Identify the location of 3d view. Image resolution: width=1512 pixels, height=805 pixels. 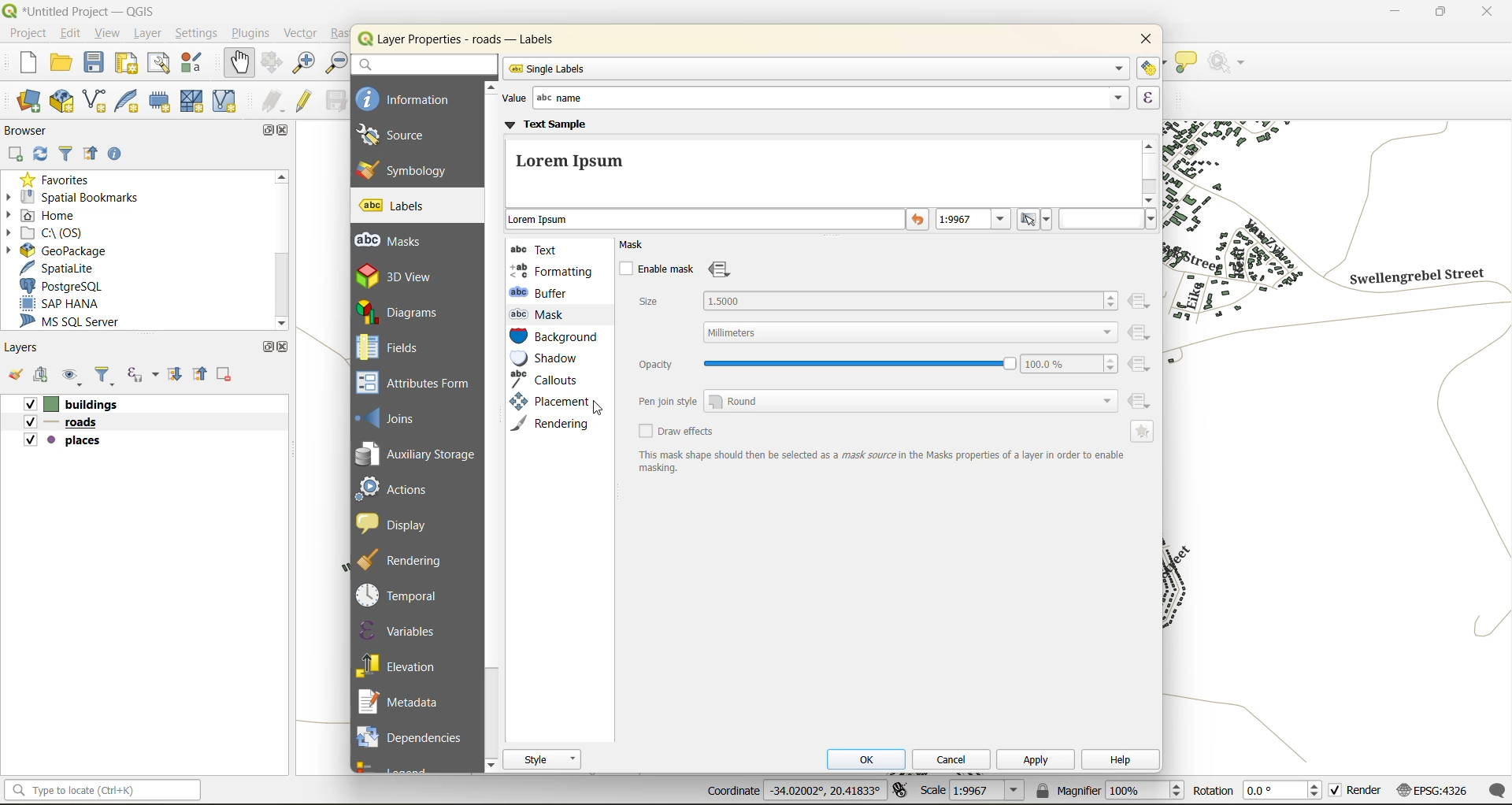
(408, 276).